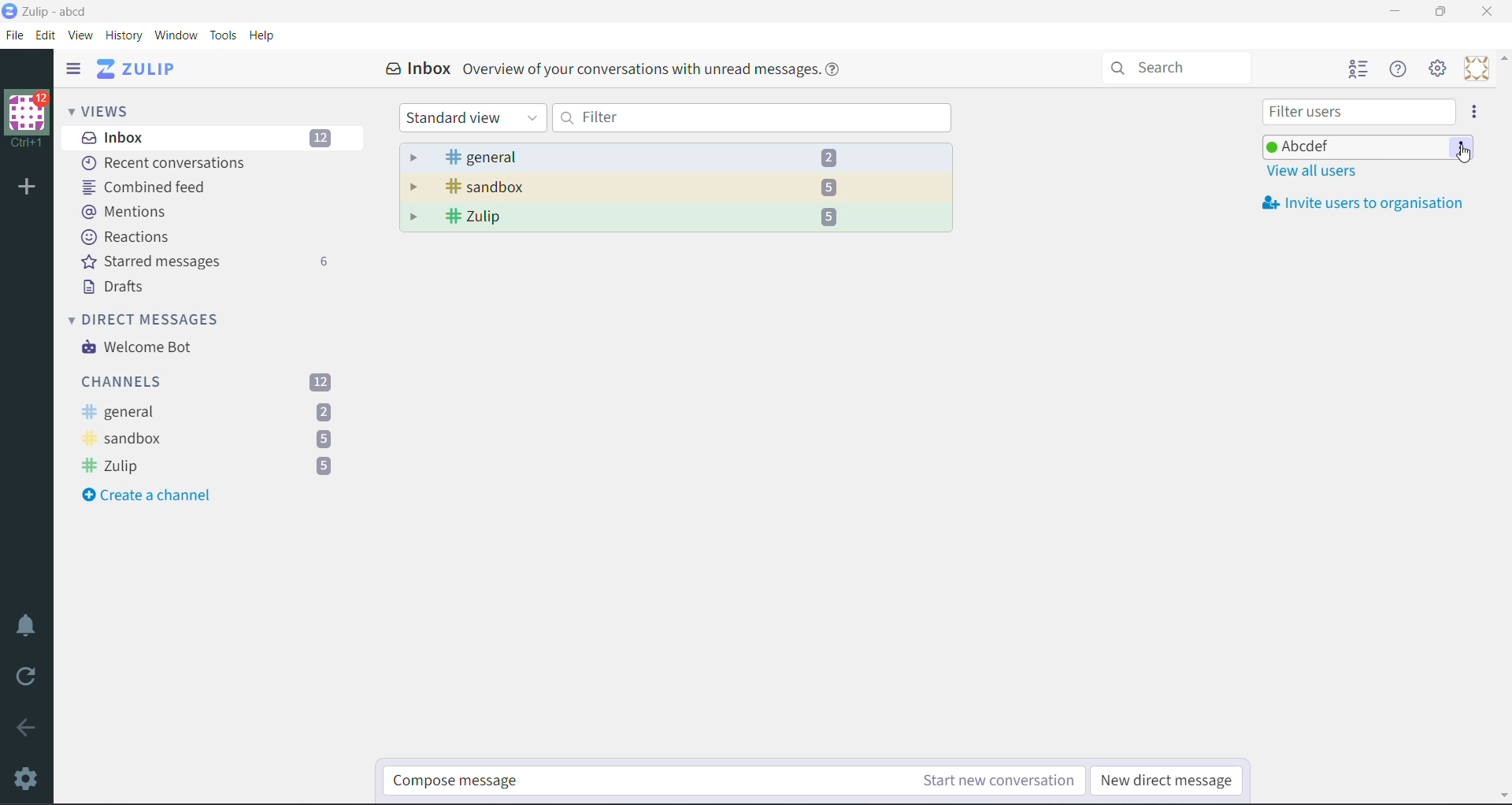  I want to click on Standard view, so click(471, 118).